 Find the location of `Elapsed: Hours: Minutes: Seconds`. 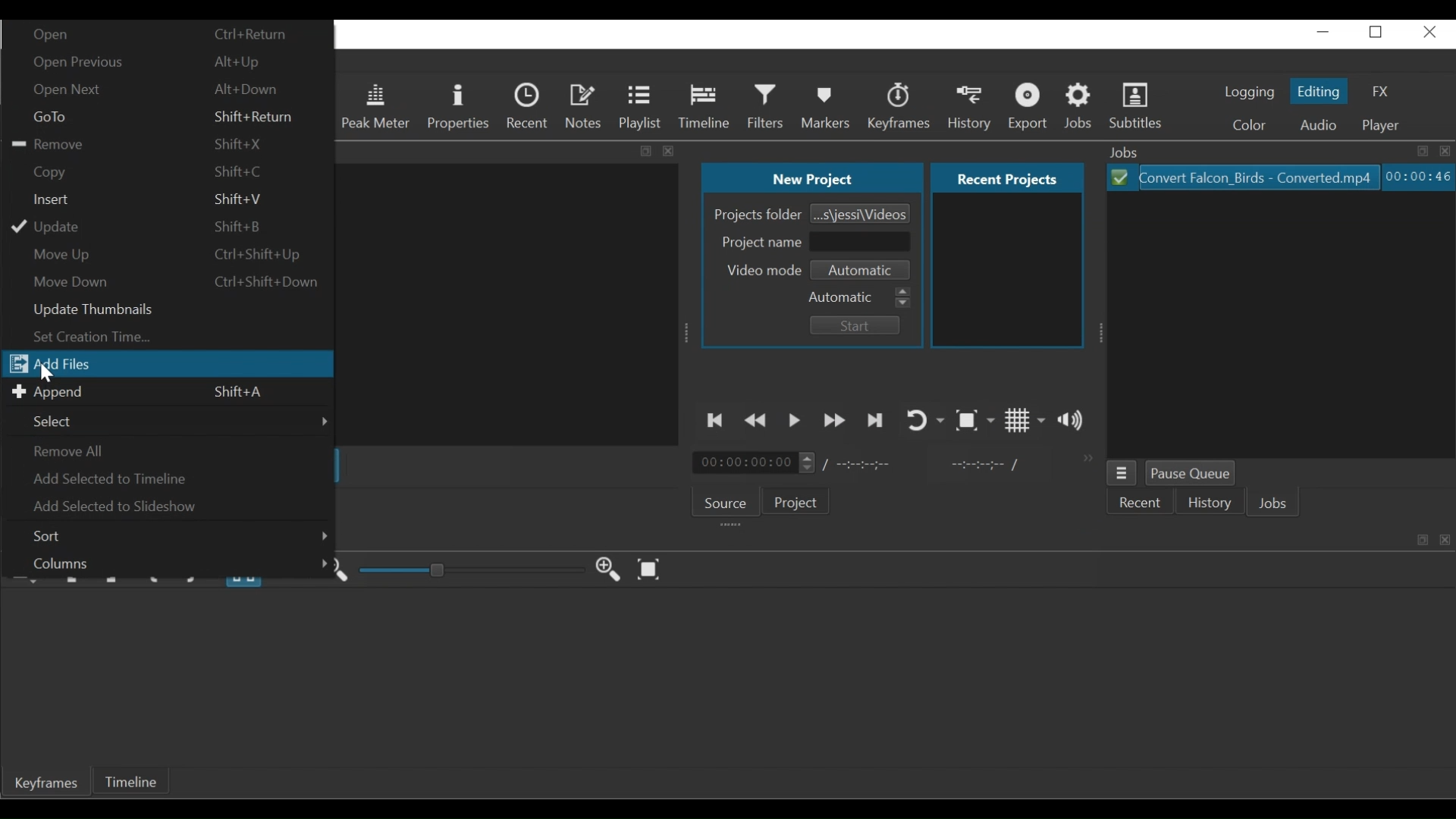

Elapsed: Hours: Minutes: Seconds is located at coordinates (1418, 176).